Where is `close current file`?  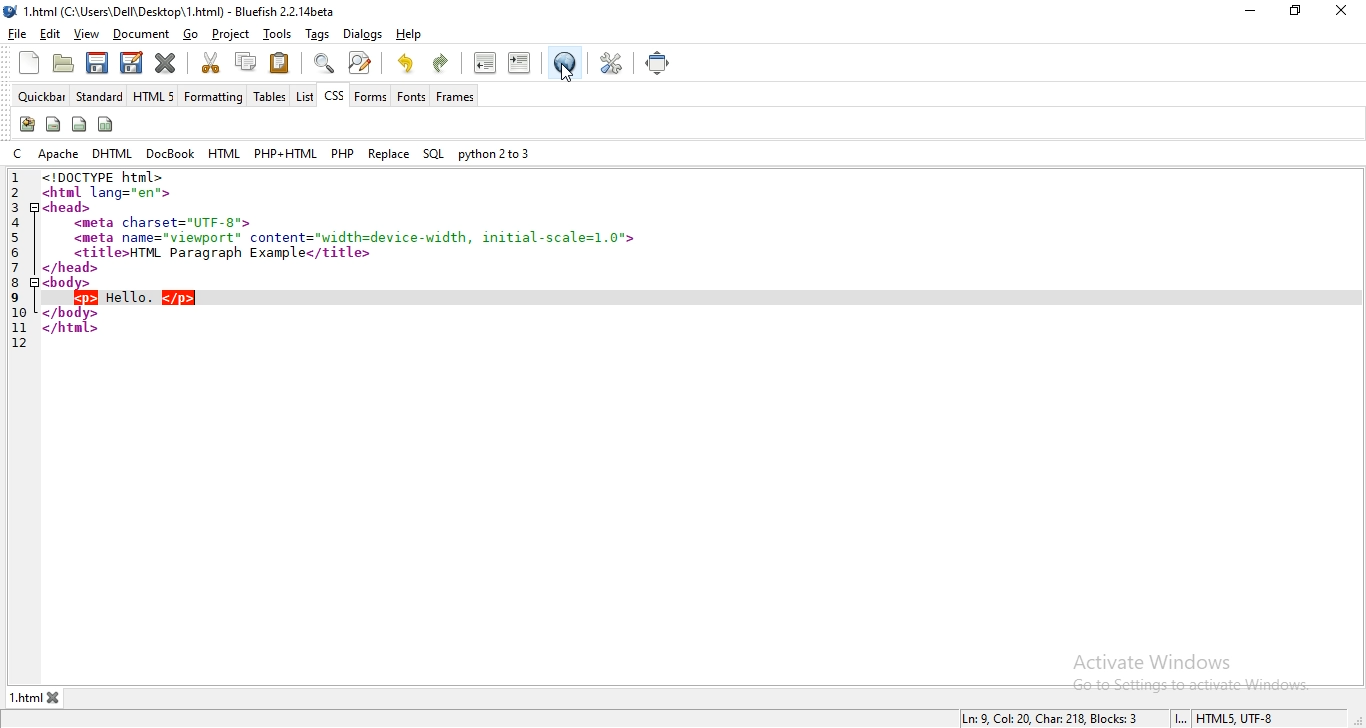 close current file is located at coordinates (166, 64).